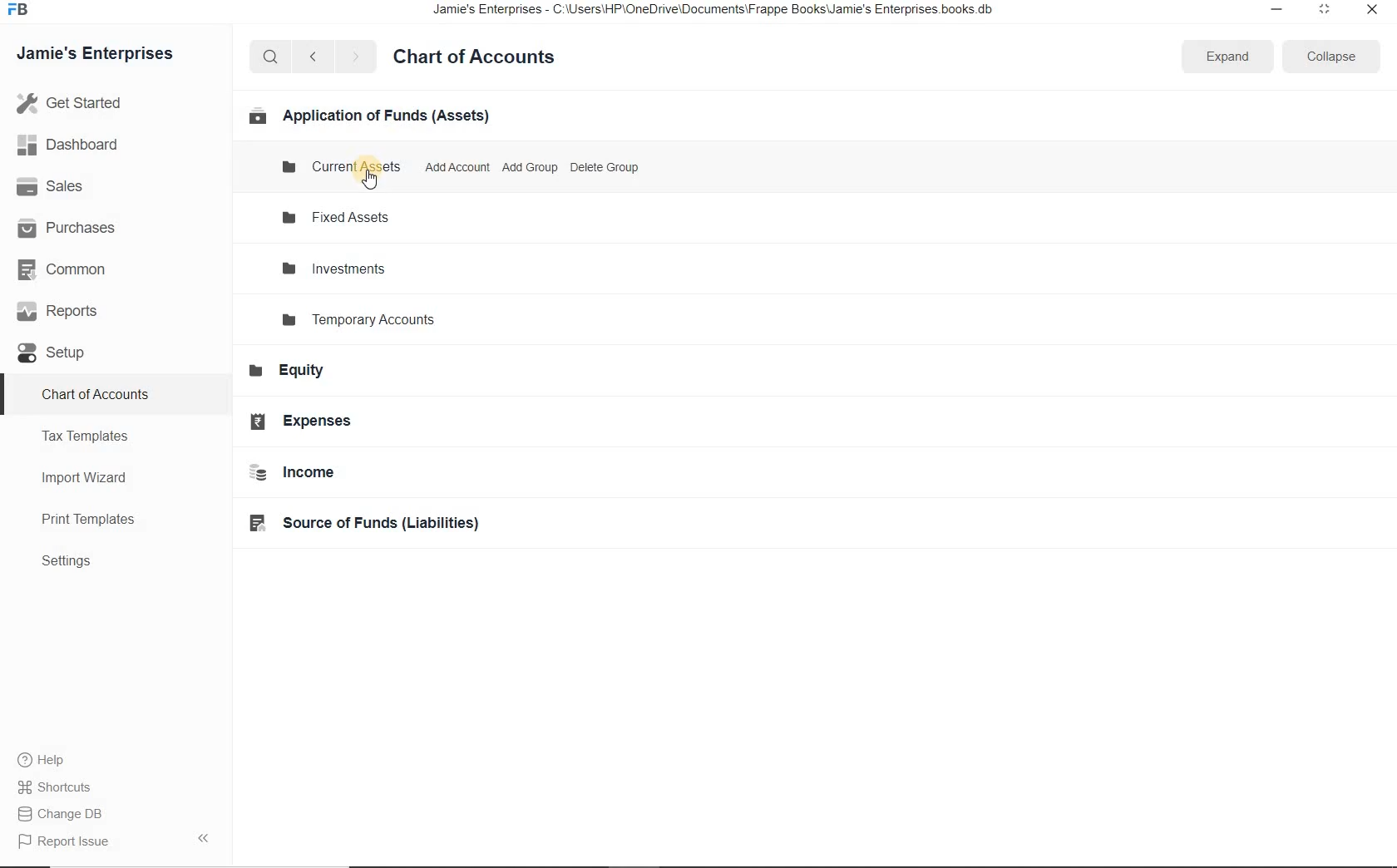 The image size is (1397, 868). What do you see at coordinates (92, 476) in the screenshot?
I see `Import Wizard` at bounding box center [92, 476].